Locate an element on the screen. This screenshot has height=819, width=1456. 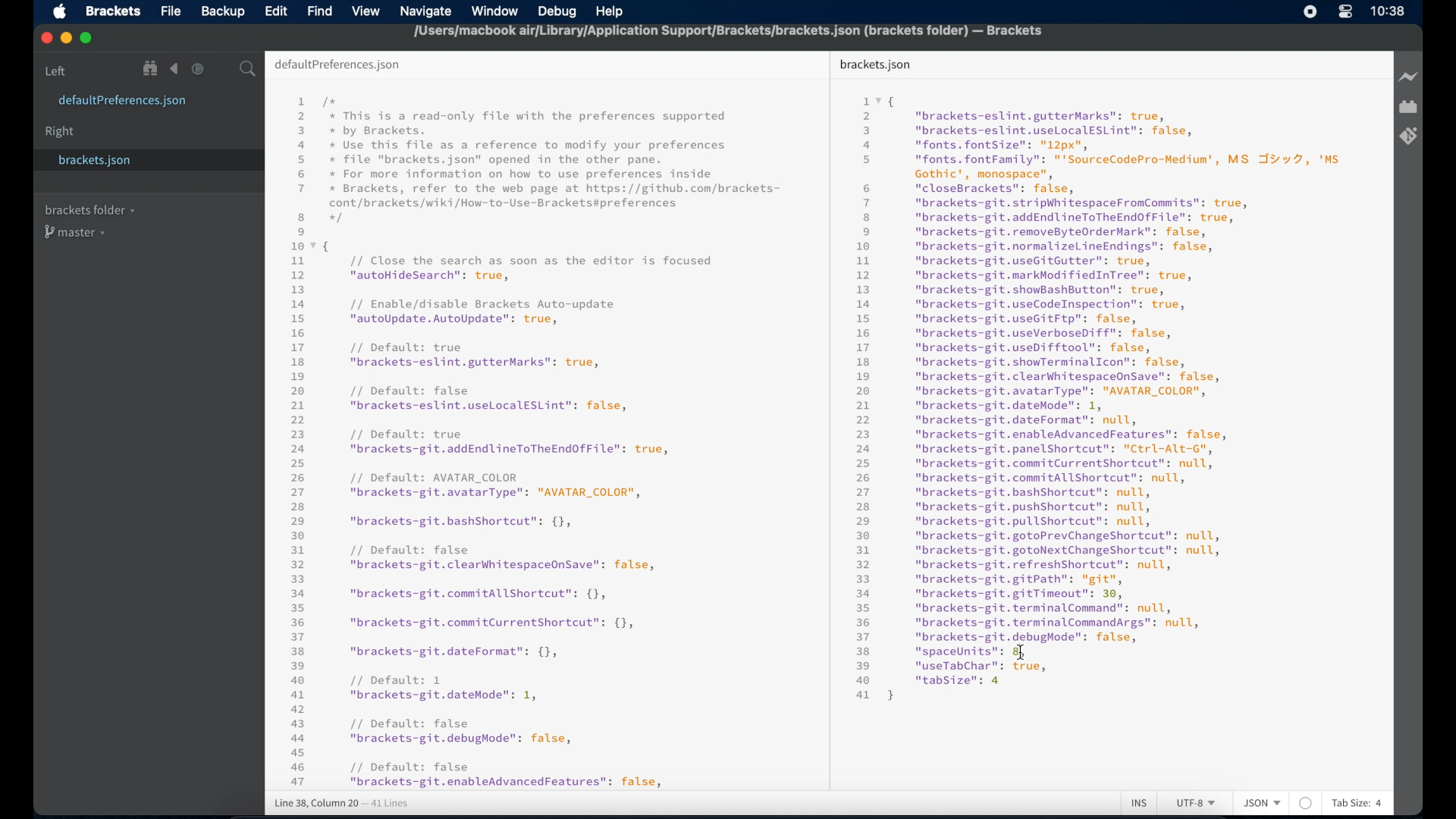
edit is located at coordinates (275, 11).